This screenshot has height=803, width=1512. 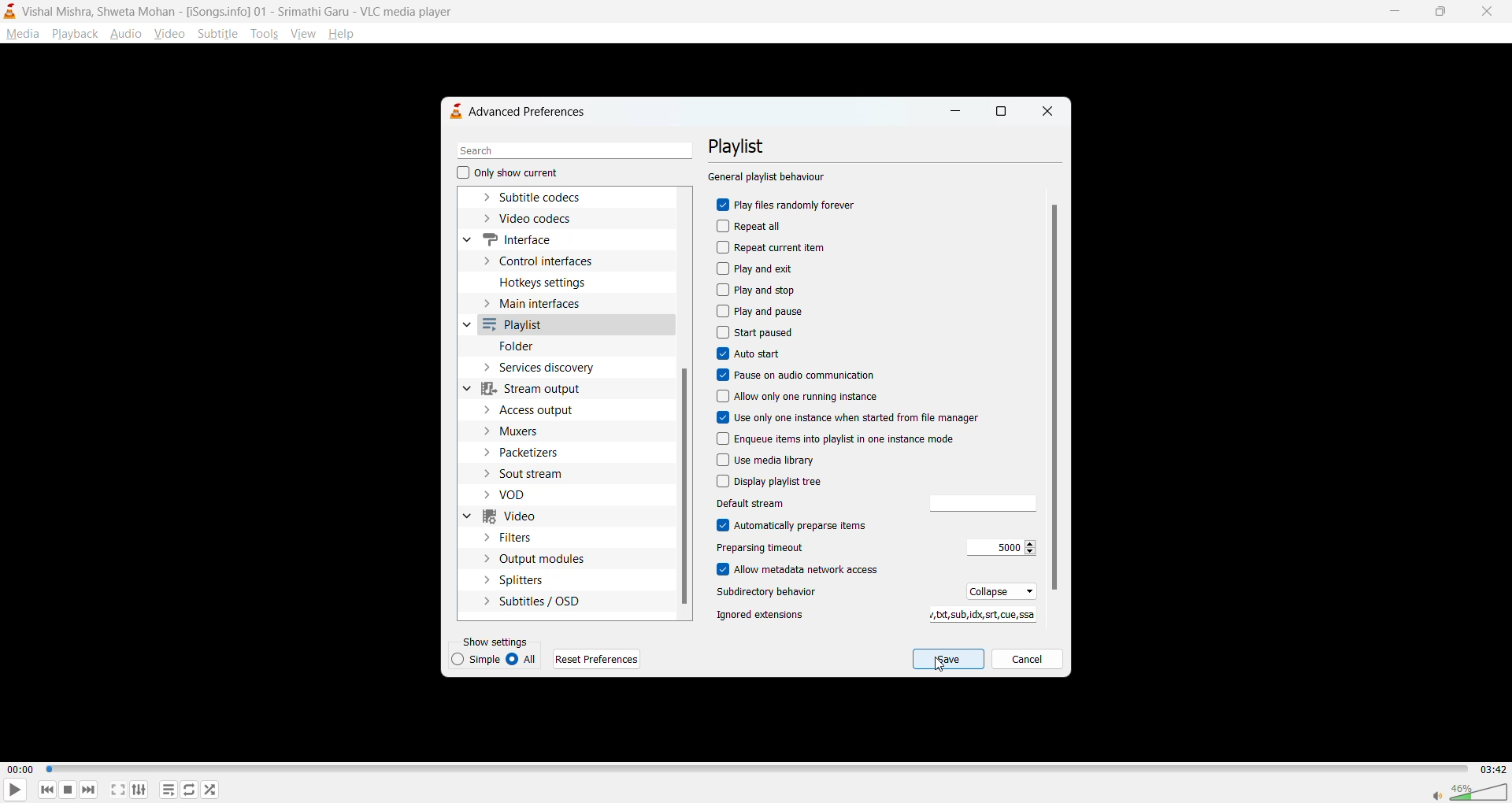 I want to click on output modules, so click(x=536, y=559).